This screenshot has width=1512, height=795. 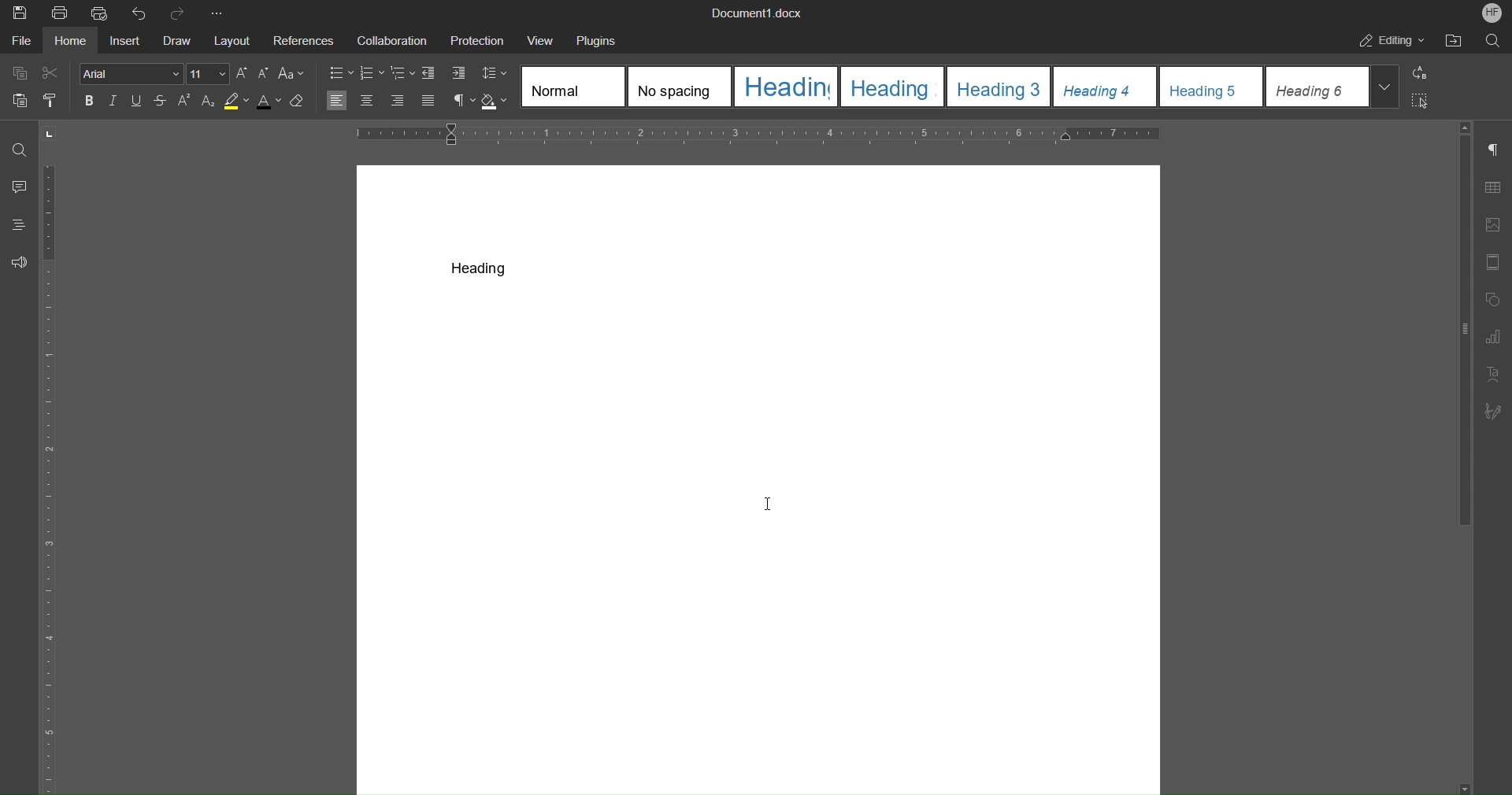 I want to click on Justify, so click(x=428, y=102).